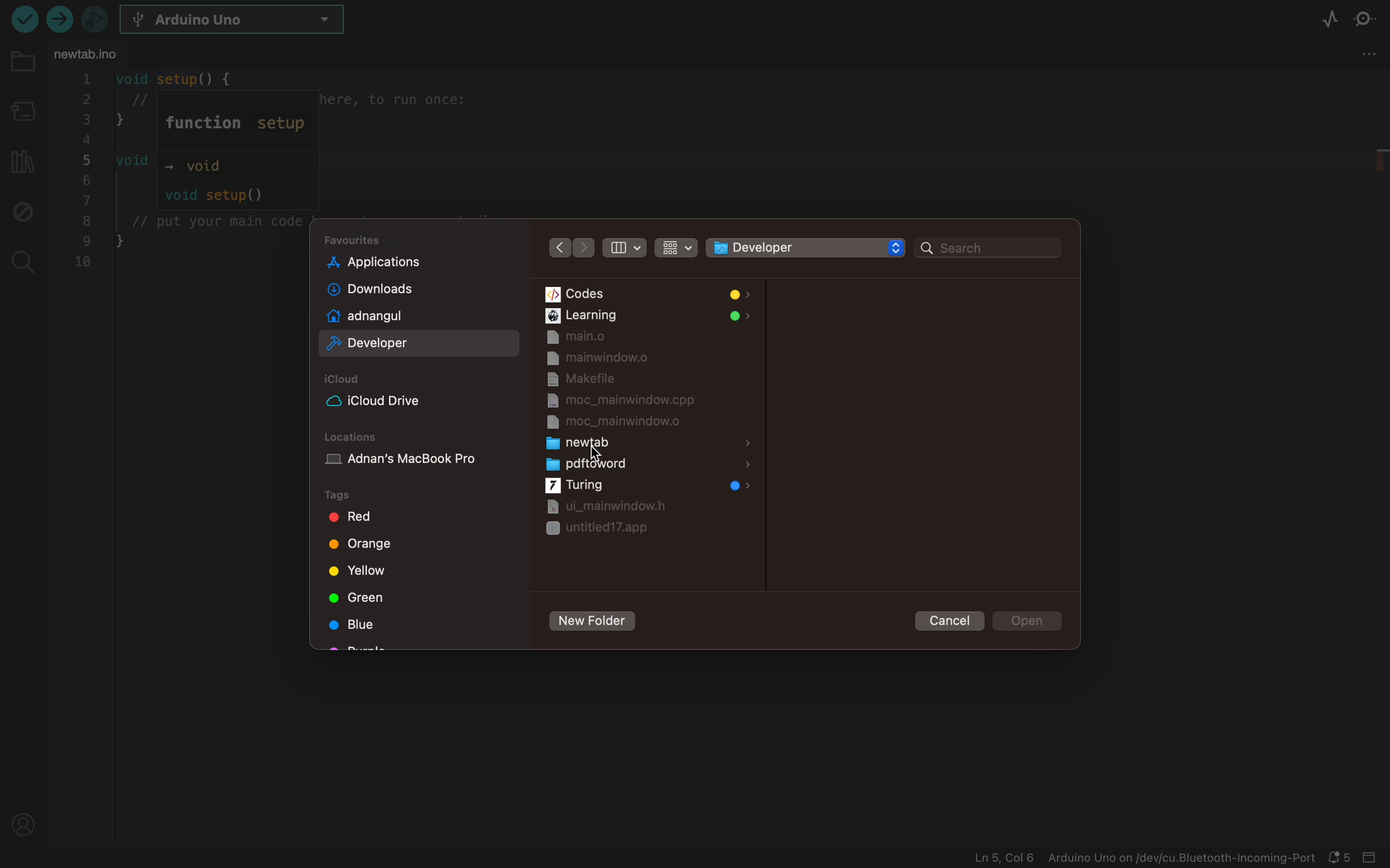 The image size is (1390, 868). What do you see at coordinates (365, 519) in the screenshot?
I see `tags` at bounding box center [365, 519].